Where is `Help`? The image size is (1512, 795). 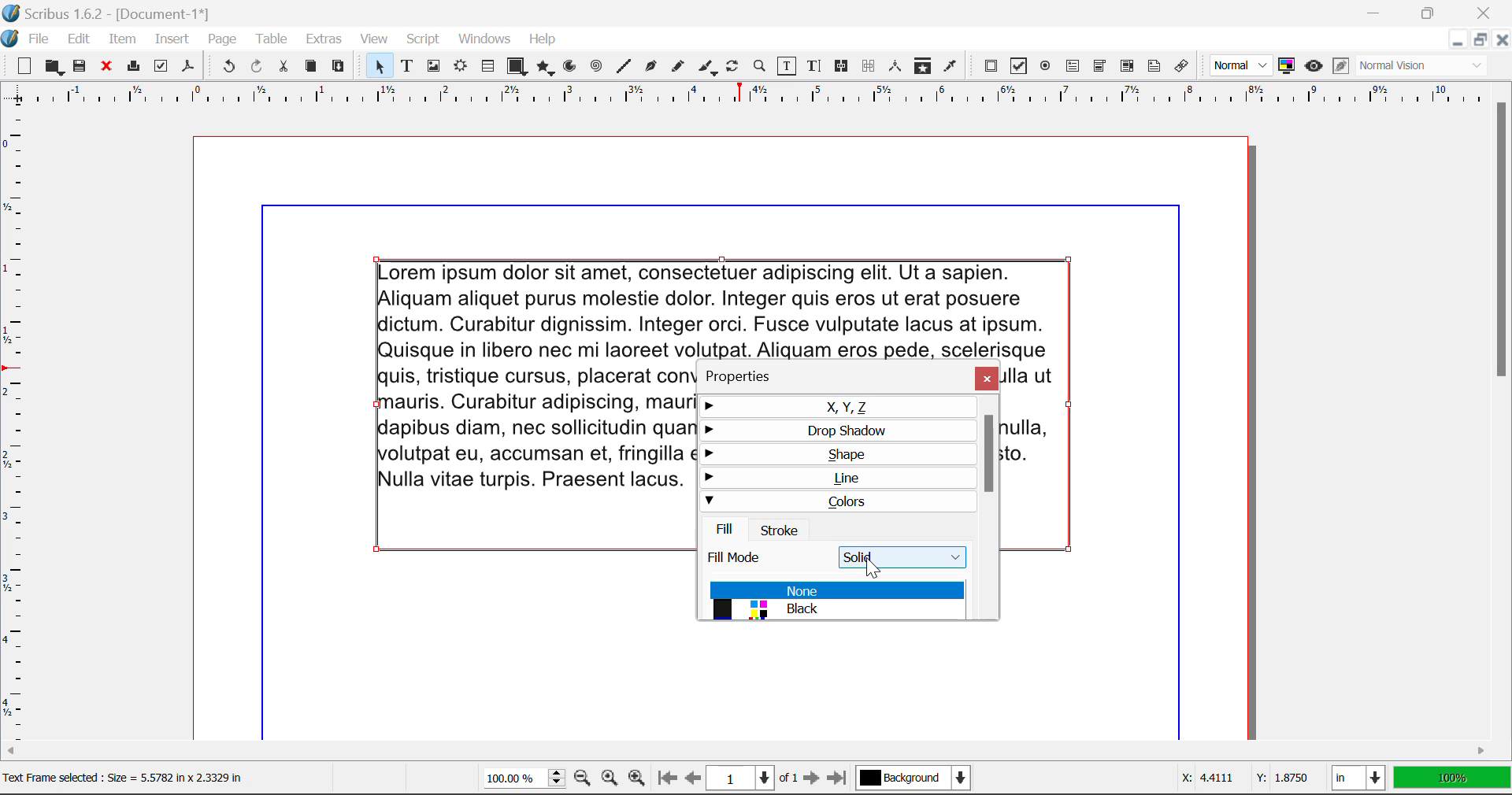 Help is located at coordinates (543, 39).